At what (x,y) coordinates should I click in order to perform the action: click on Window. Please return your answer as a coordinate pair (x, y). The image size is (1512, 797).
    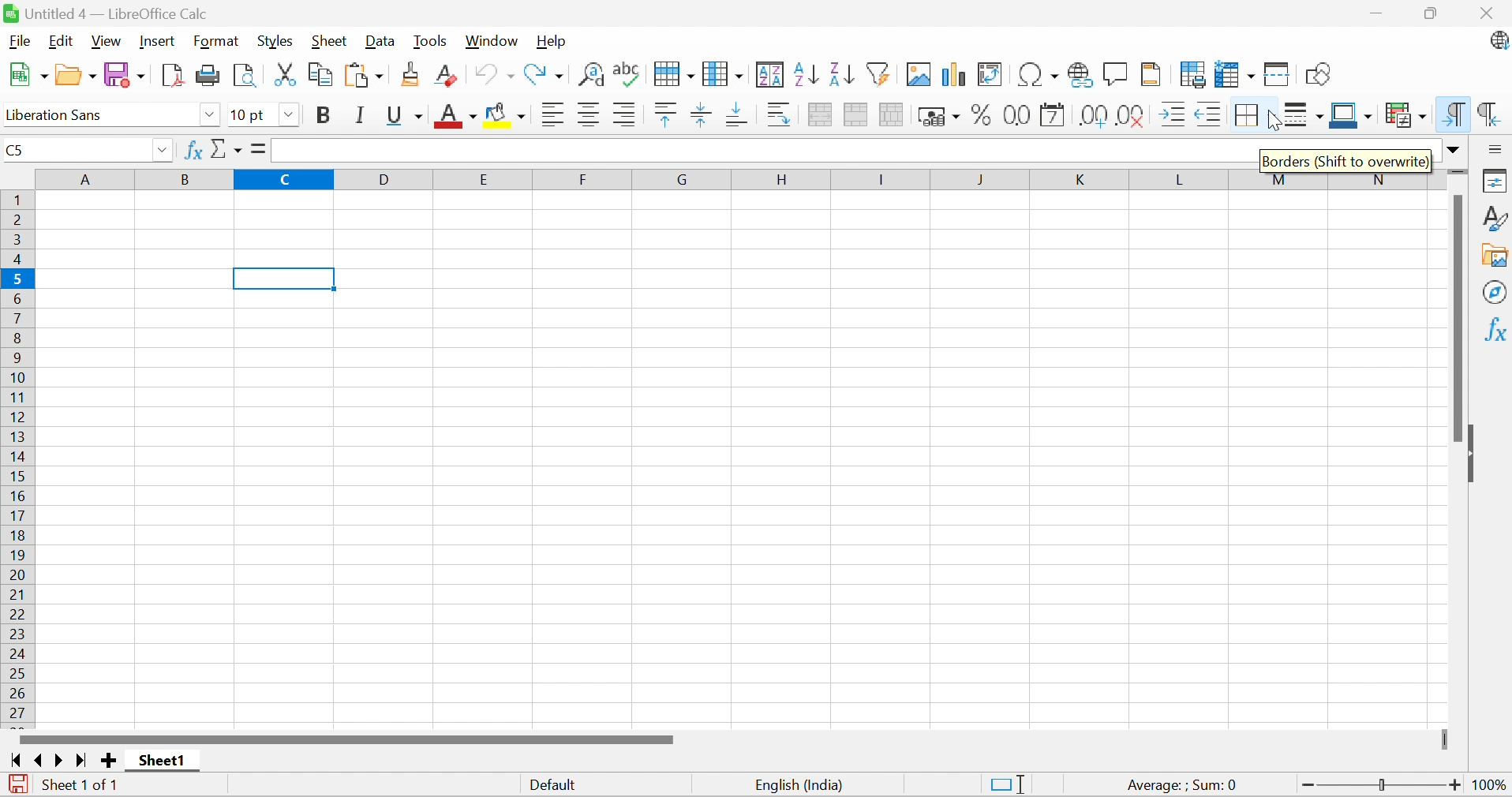
    Looking at the image, I should click on (492, 40).